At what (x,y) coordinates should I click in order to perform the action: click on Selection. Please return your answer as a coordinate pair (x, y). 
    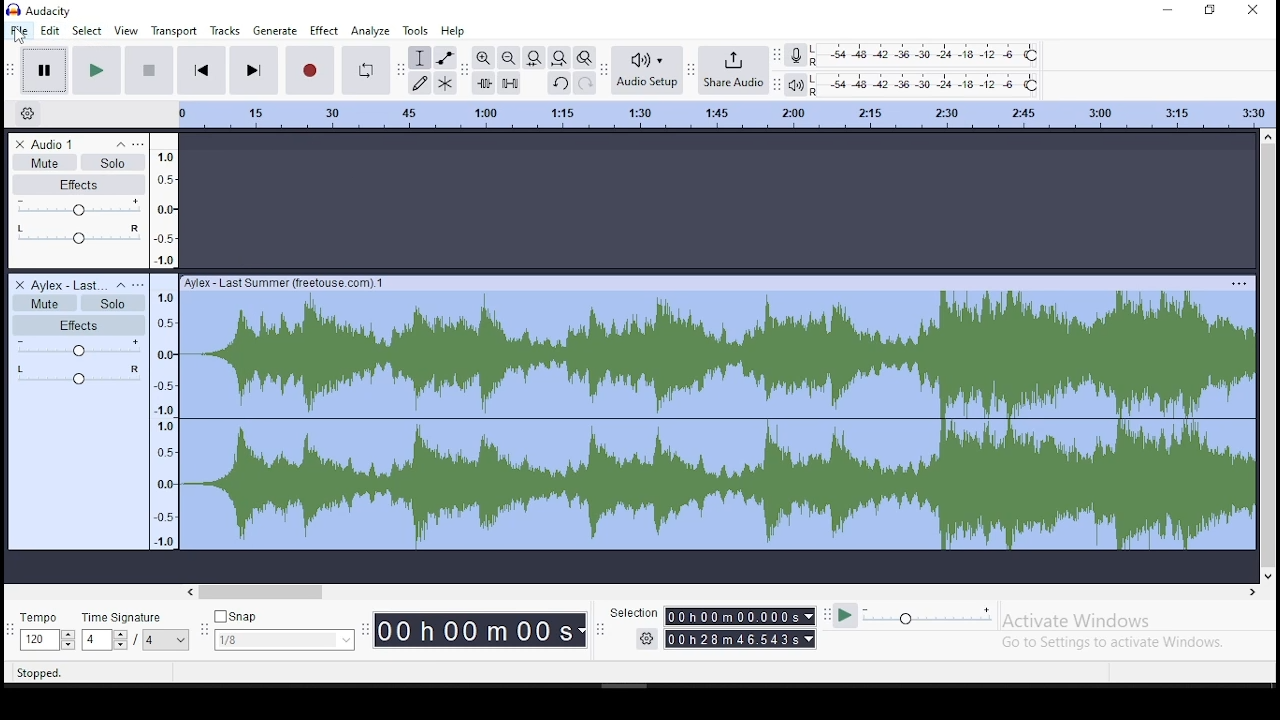
    Looking at the image, I should click on (634, 612).